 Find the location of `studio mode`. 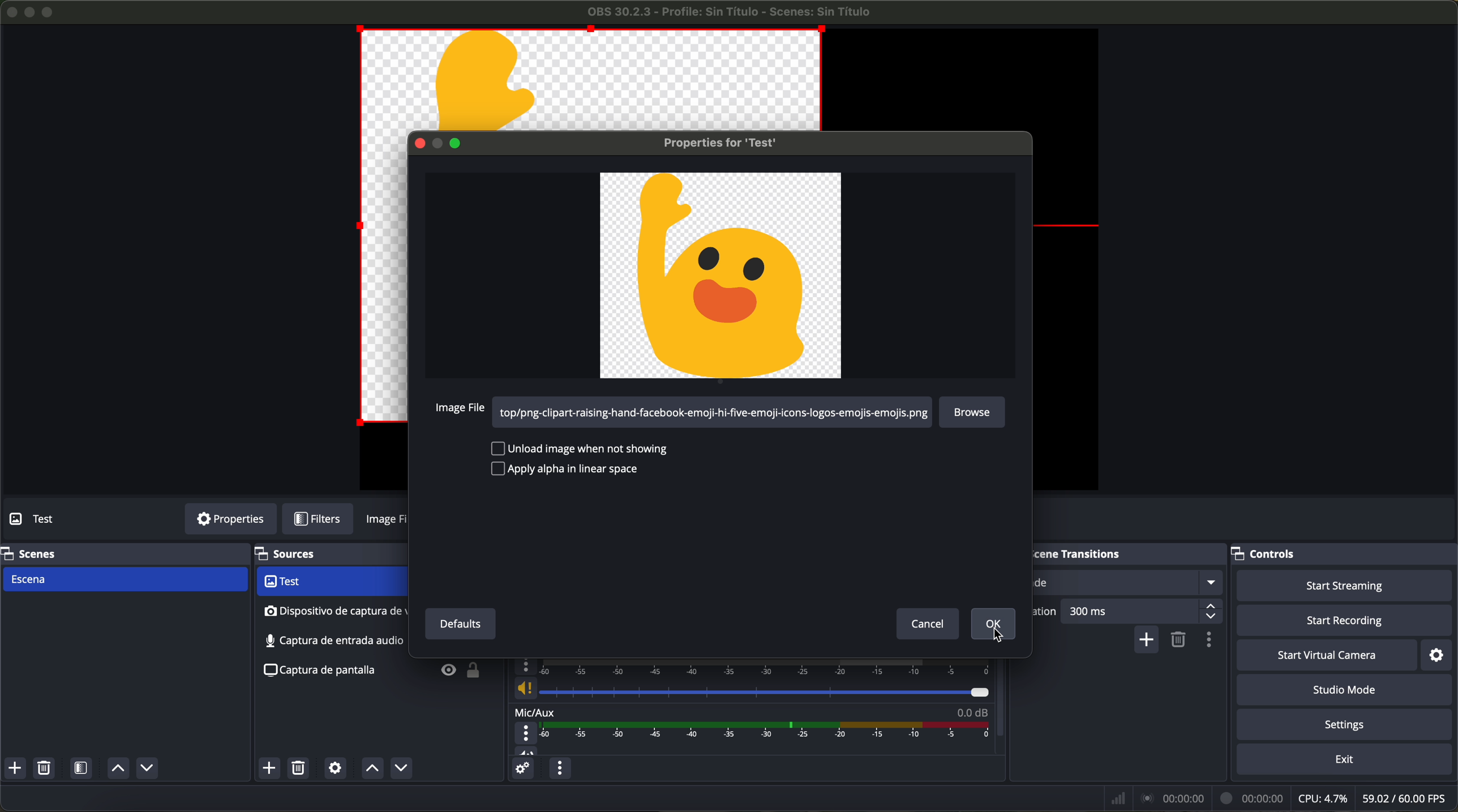

studio mode is located at coordinates (1345, 690).